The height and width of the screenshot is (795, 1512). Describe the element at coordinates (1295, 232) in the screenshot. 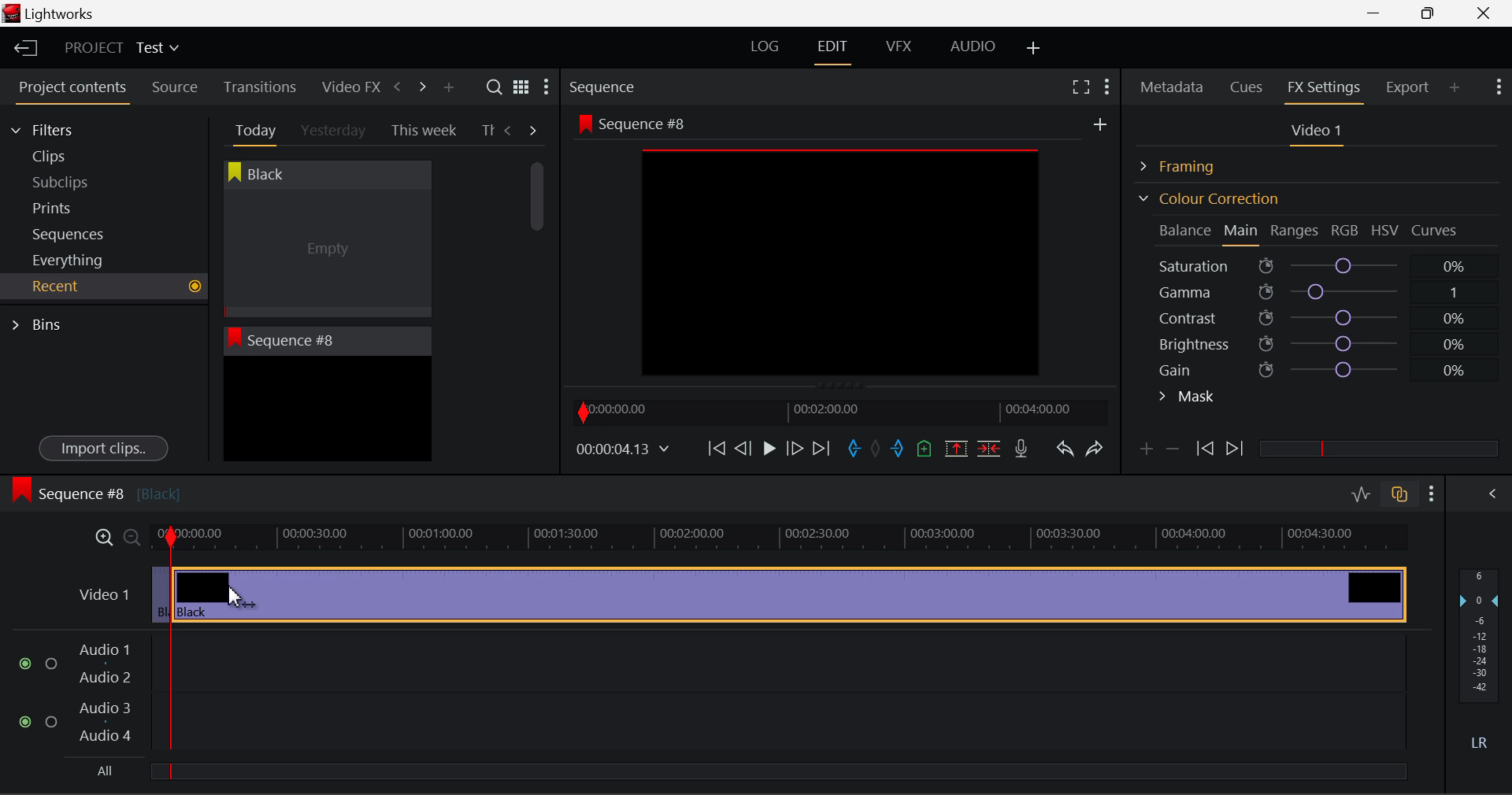

I see `Ranges` at that location.